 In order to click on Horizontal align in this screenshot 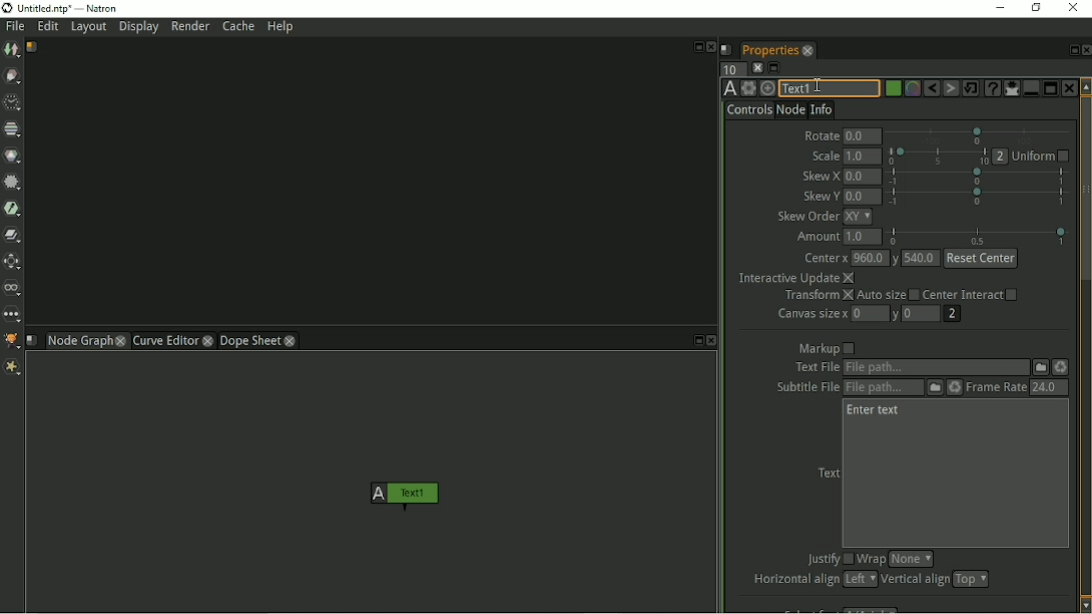, I will do `click(793, 580)`.